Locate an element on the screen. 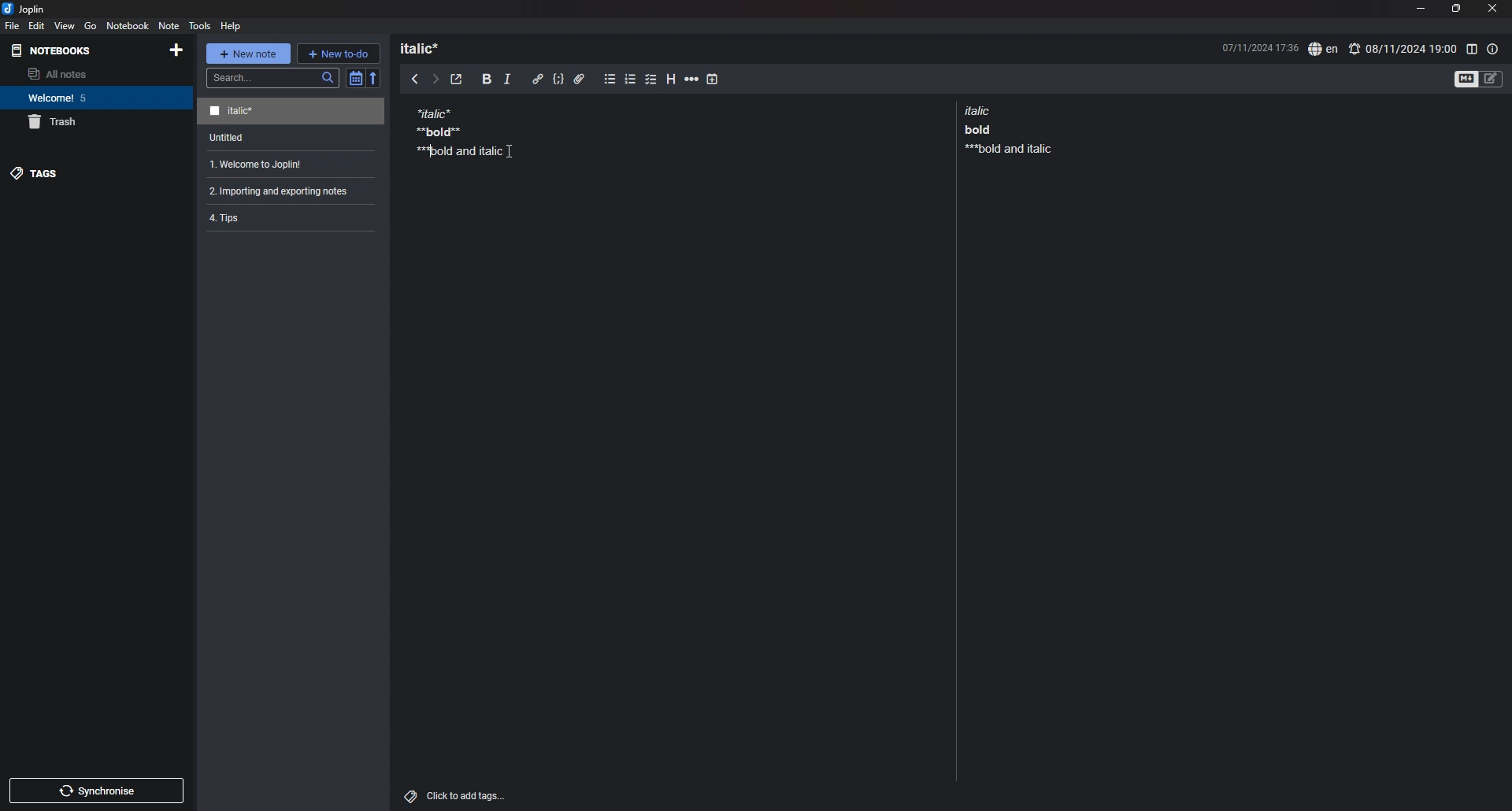 This screenshot has height=811, width=1512. attachment is located at coordinates (580, 80).